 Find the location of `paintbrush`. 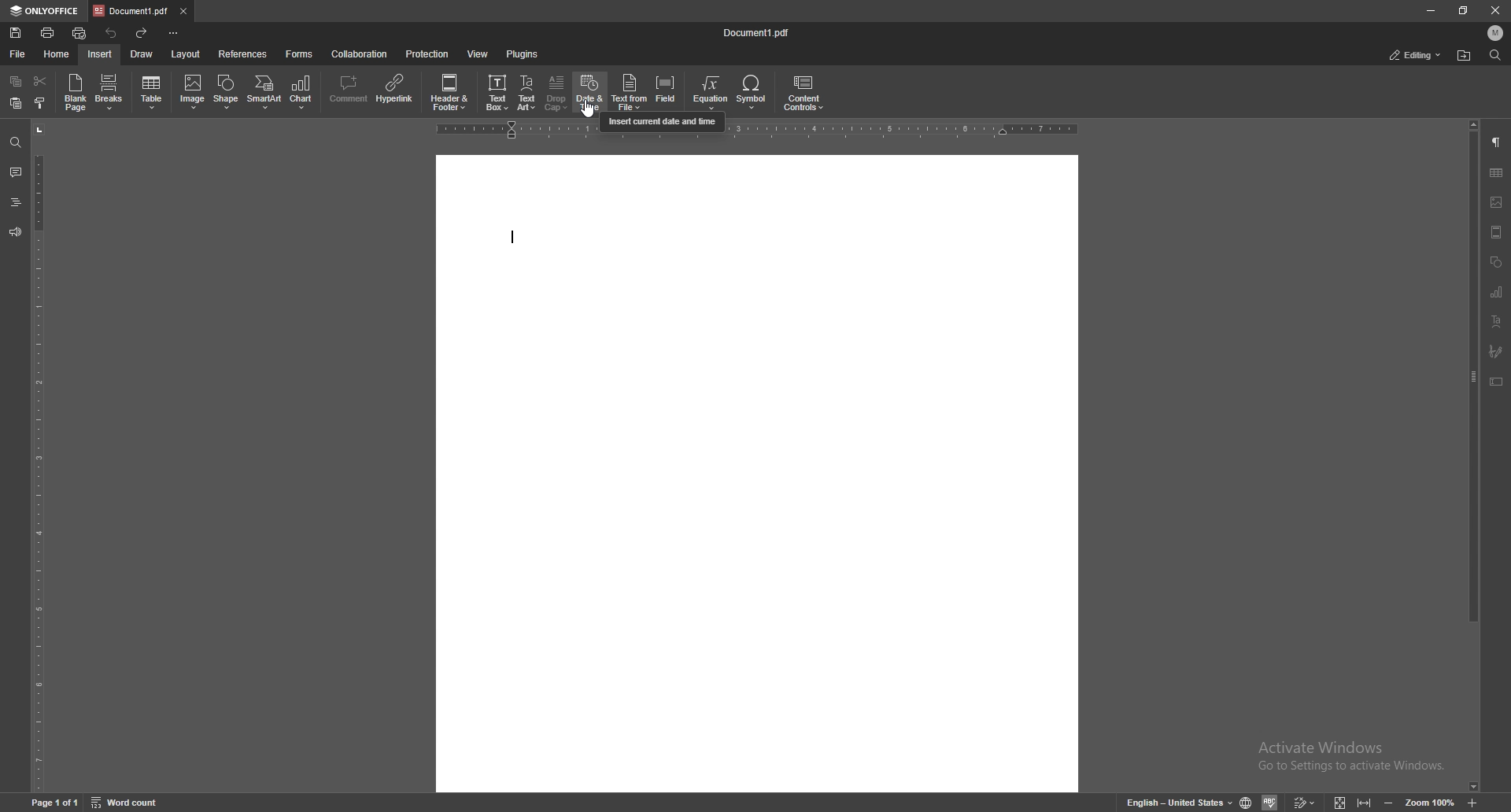

paintbrush is located at coordinates (1498, 350).